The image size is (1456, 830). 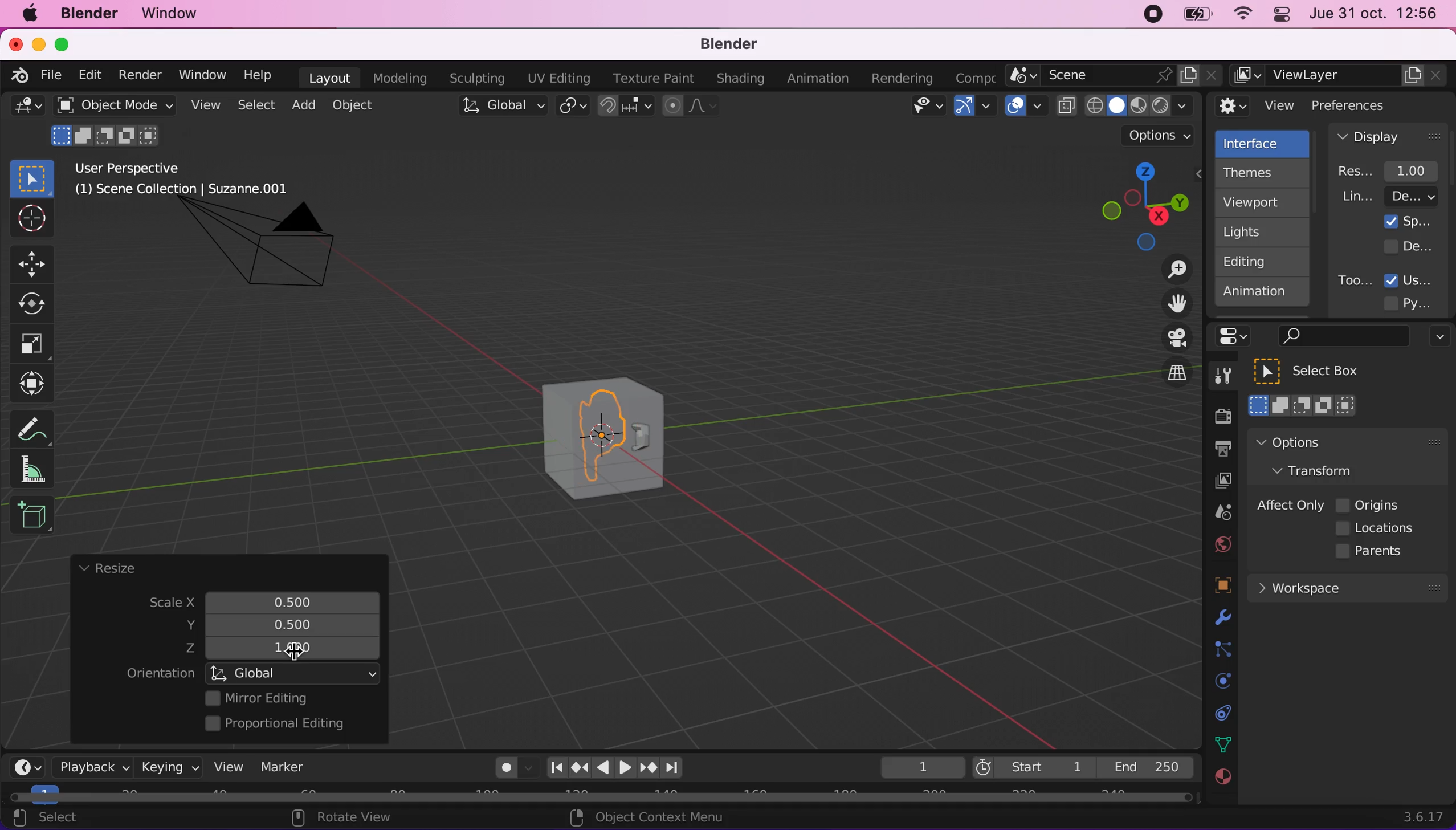 I want to click on jue 31 oct. 12:56, so click(x=1374, y=14).